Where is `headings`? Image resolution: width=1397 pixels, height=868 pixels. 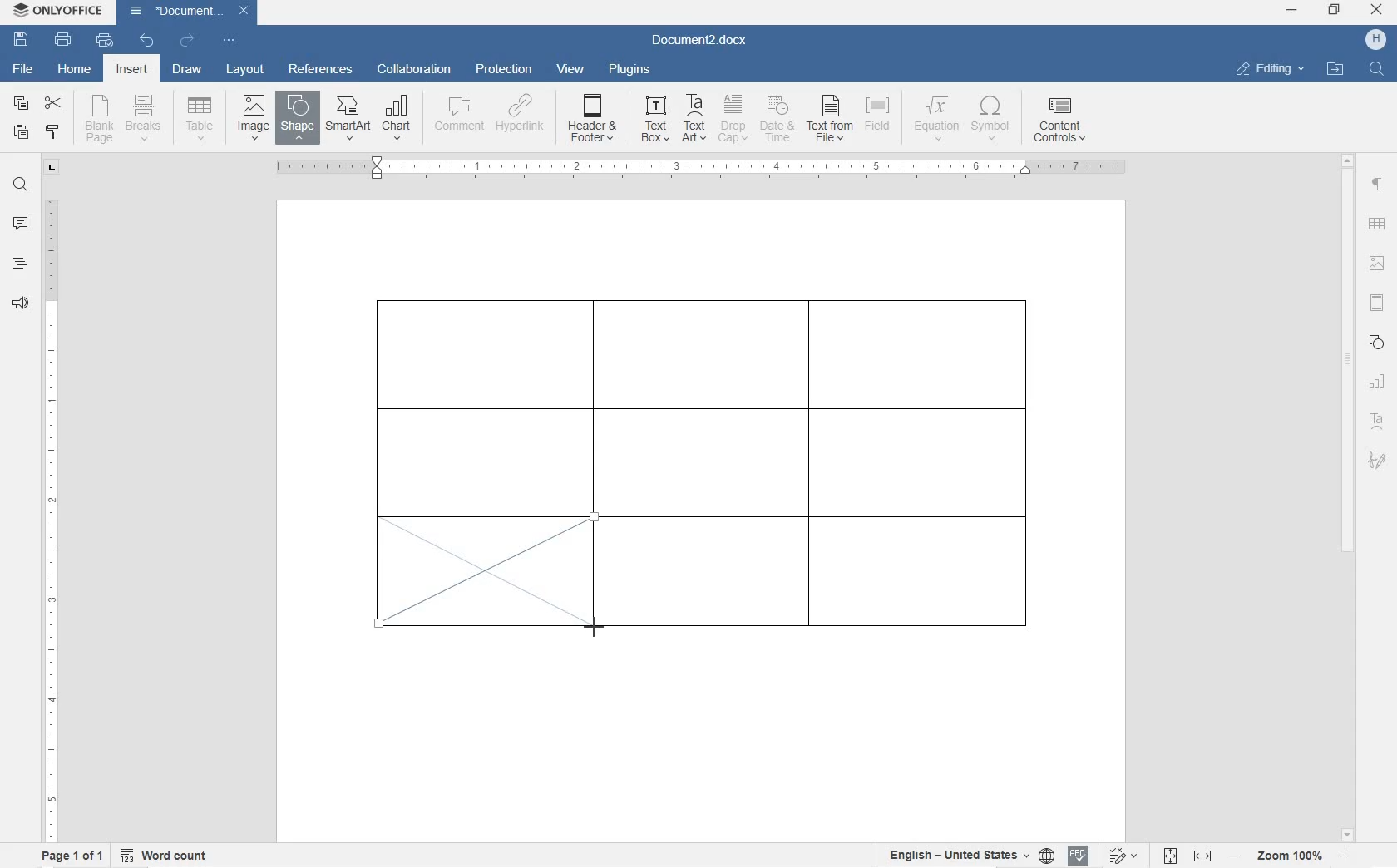 headings is located at coordinates (20, 264).